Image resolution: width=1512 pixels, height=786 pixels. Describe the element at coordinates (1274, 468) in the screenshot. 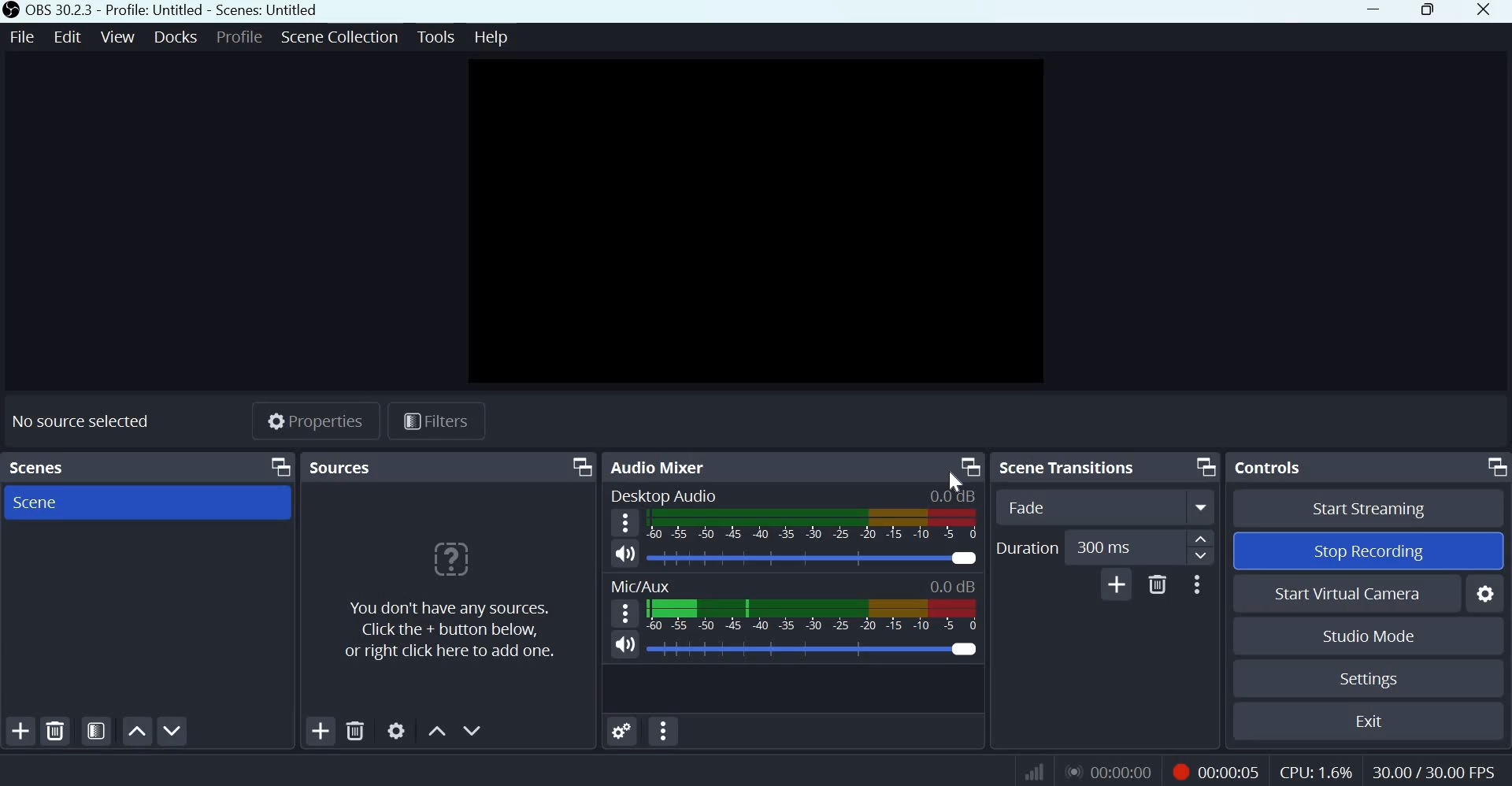

I see `Controls` at that location.